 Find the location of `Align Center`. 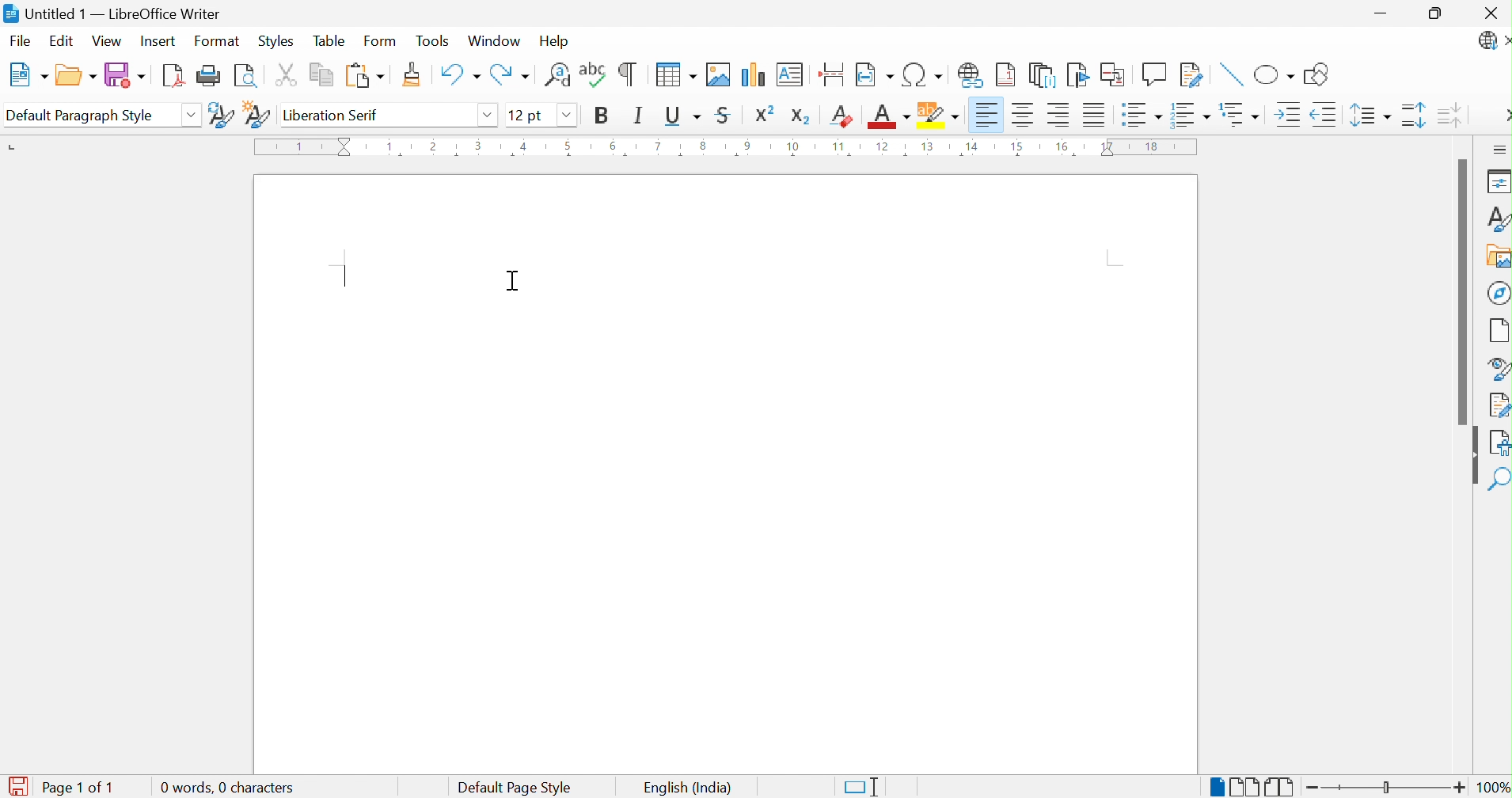

Align Center is located at coordinates (1024, 115).